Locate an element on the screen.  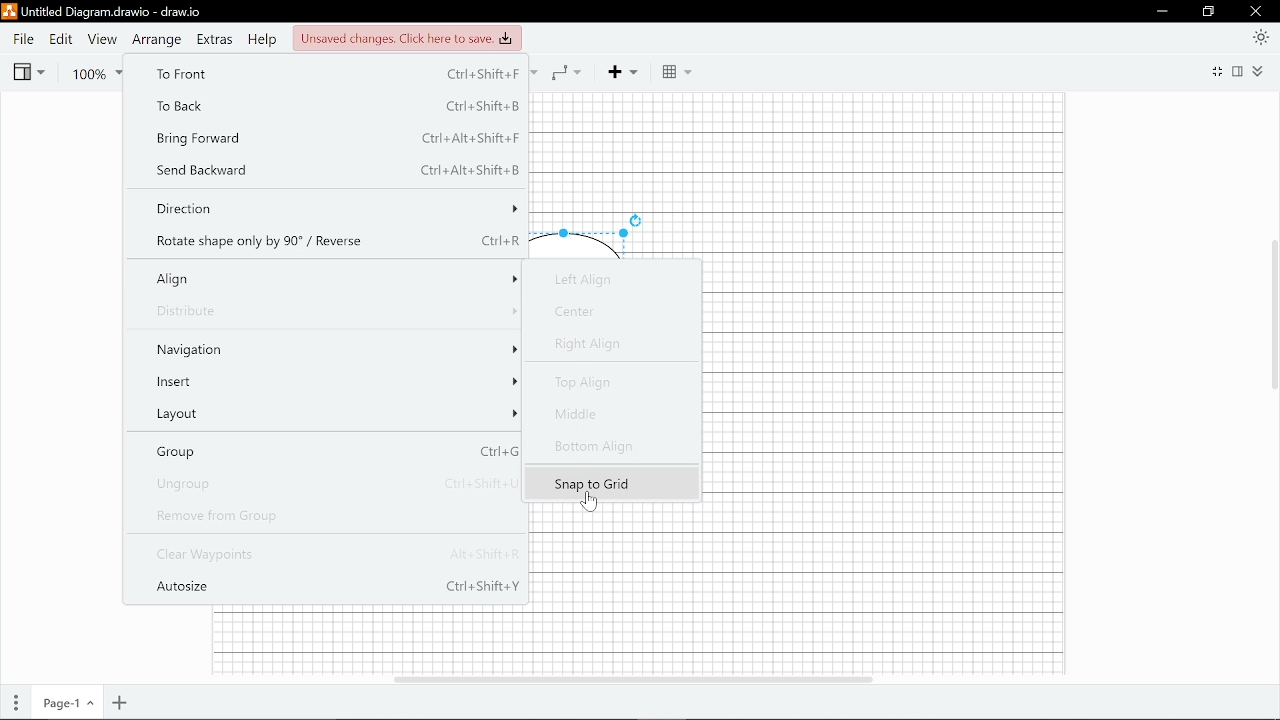
Help is located at coordinates (265, 41).